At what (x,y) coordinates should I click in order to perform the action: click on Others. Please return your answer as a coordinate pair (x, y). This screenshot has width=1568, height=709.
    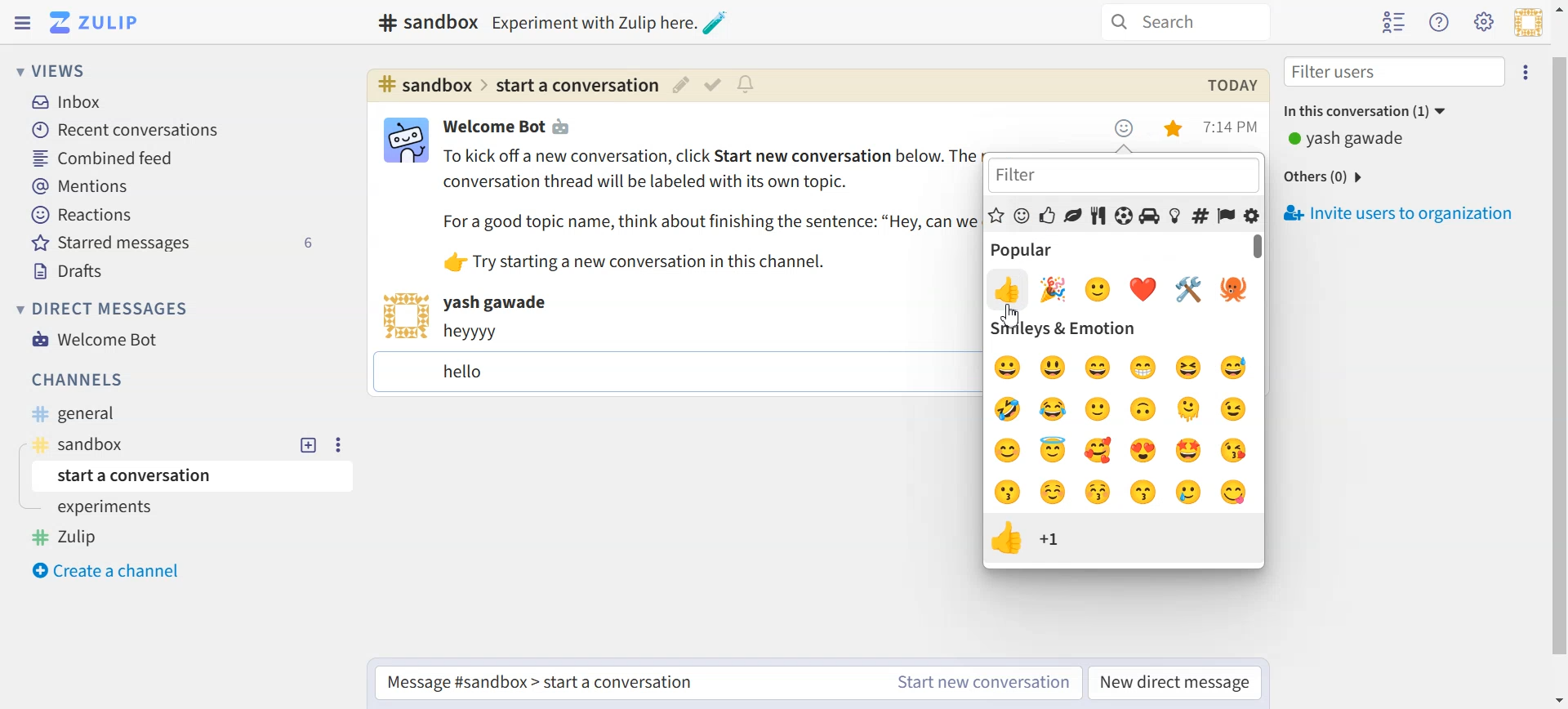
    Looking at the image, I should click on (1327, 177).